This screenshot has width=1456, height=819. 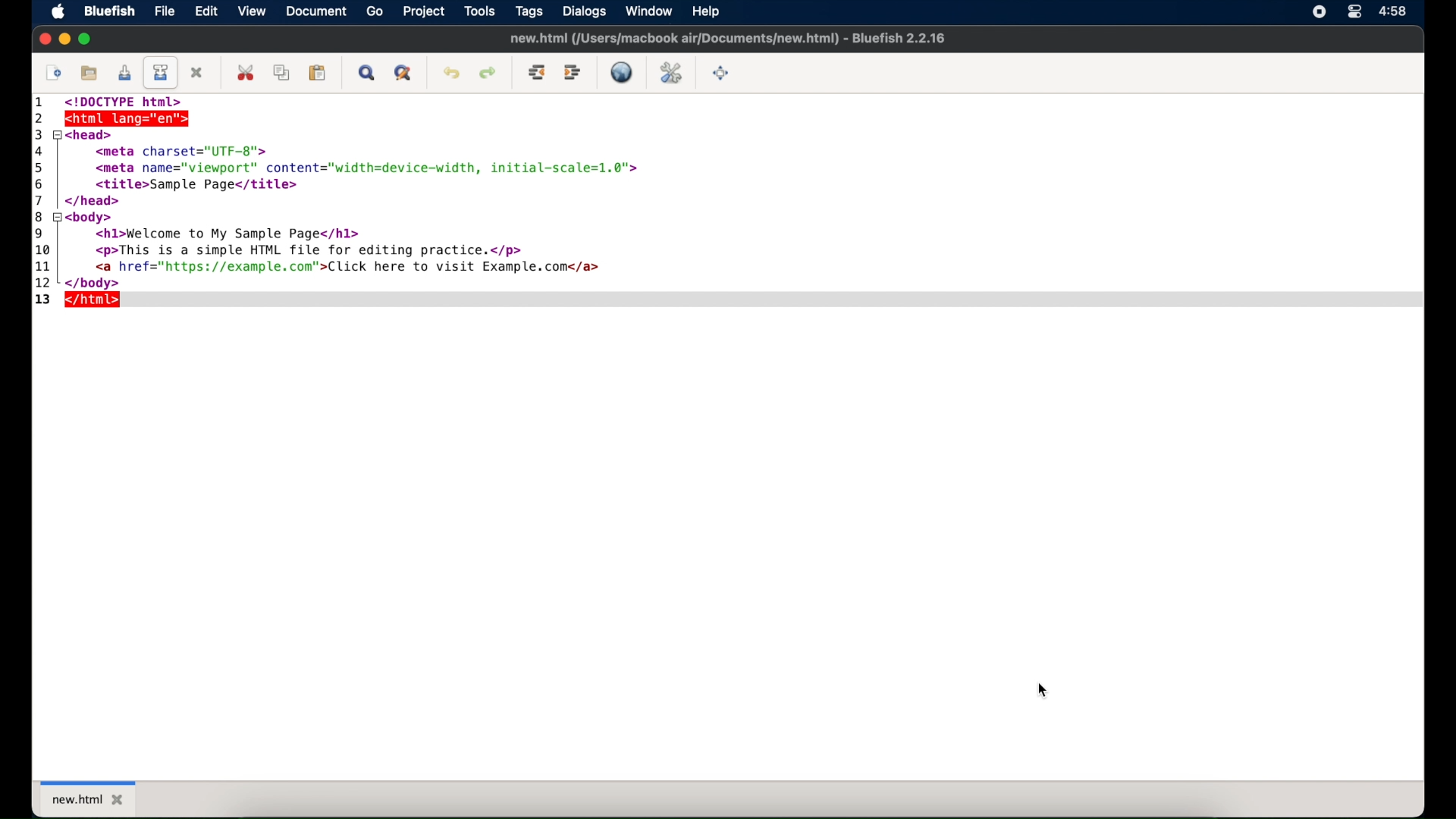 What do you see at coordinates (38, 134) in the screenshot?
I see `3` at bounding box center [38, 134].